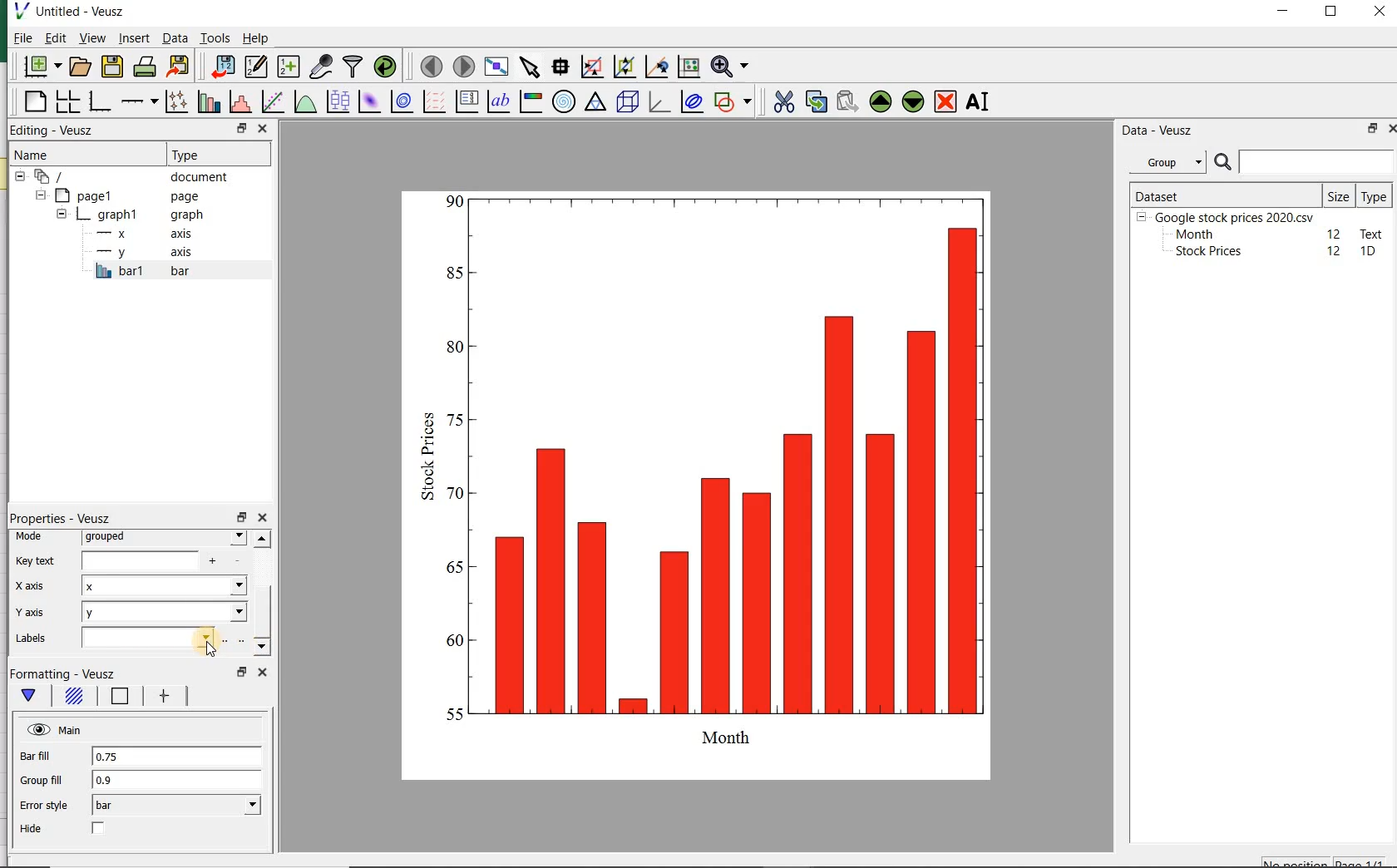  Describe the element at coordinates (262, 519) in the screenshot. I see `close` at that location.